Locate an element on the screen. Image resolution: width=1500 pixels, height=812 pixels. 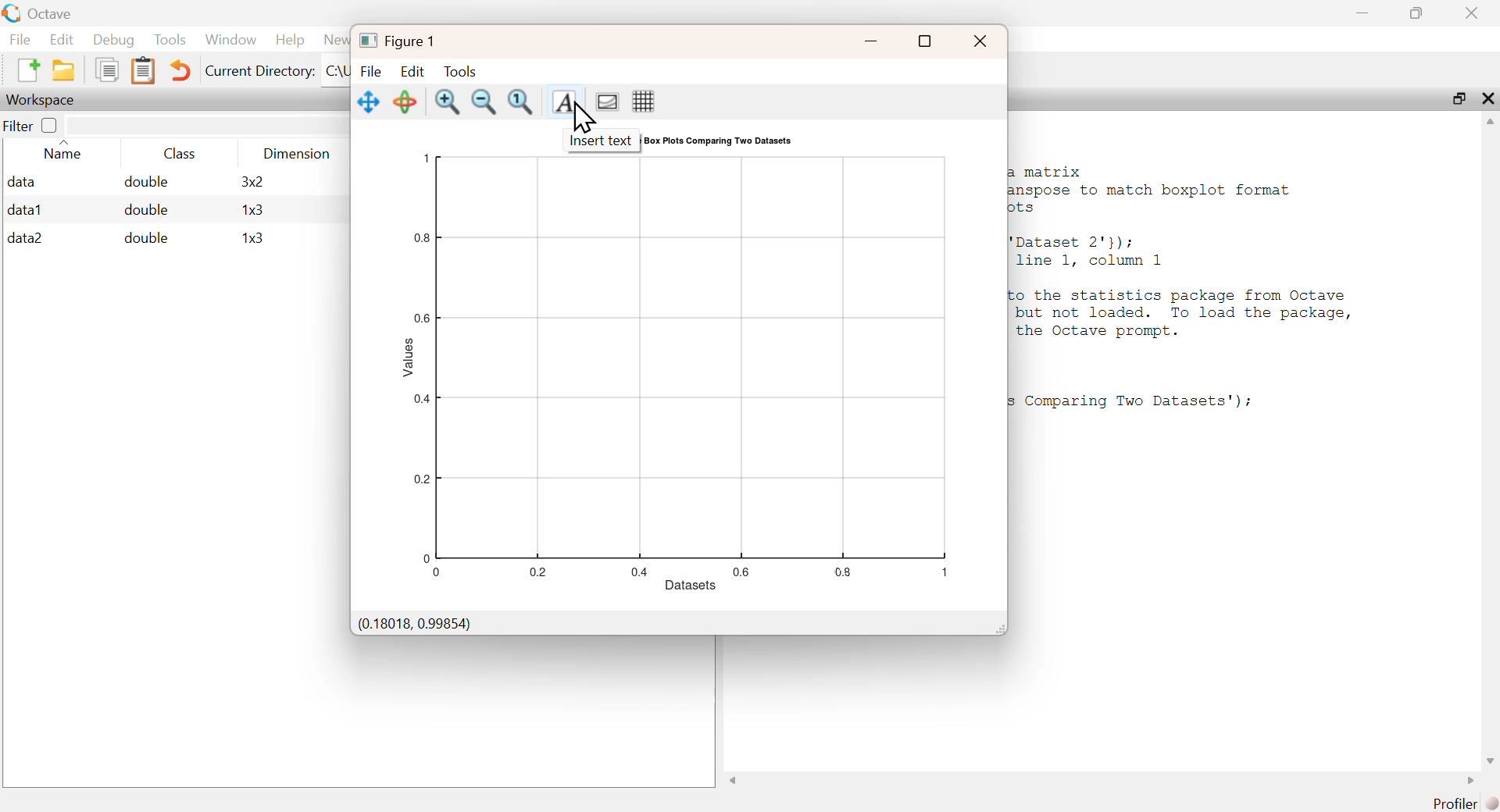
Fit to screen is located at coordinates (523, 102).